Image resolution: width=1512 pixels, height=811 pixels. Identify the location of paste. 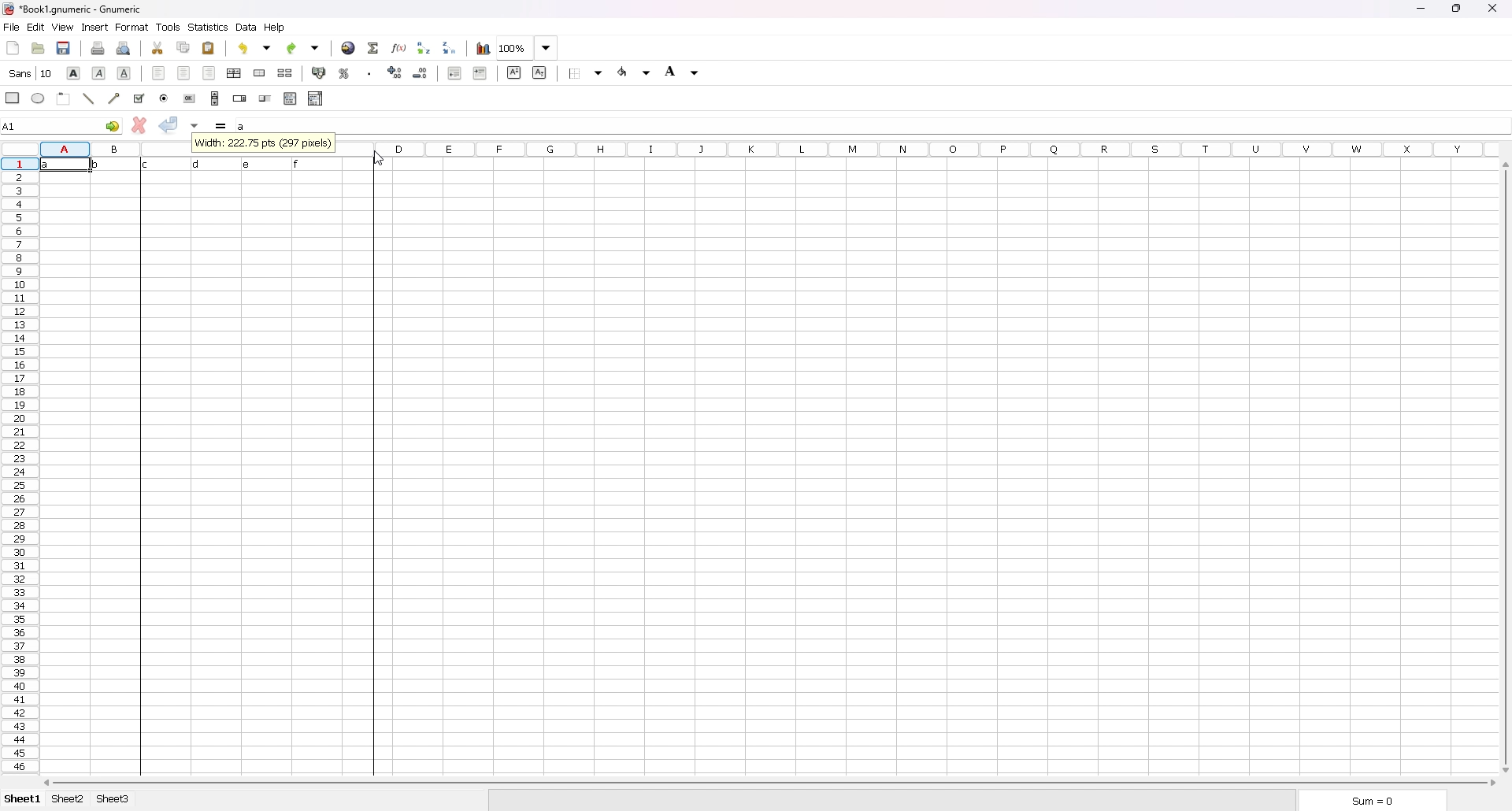
(209, 47).